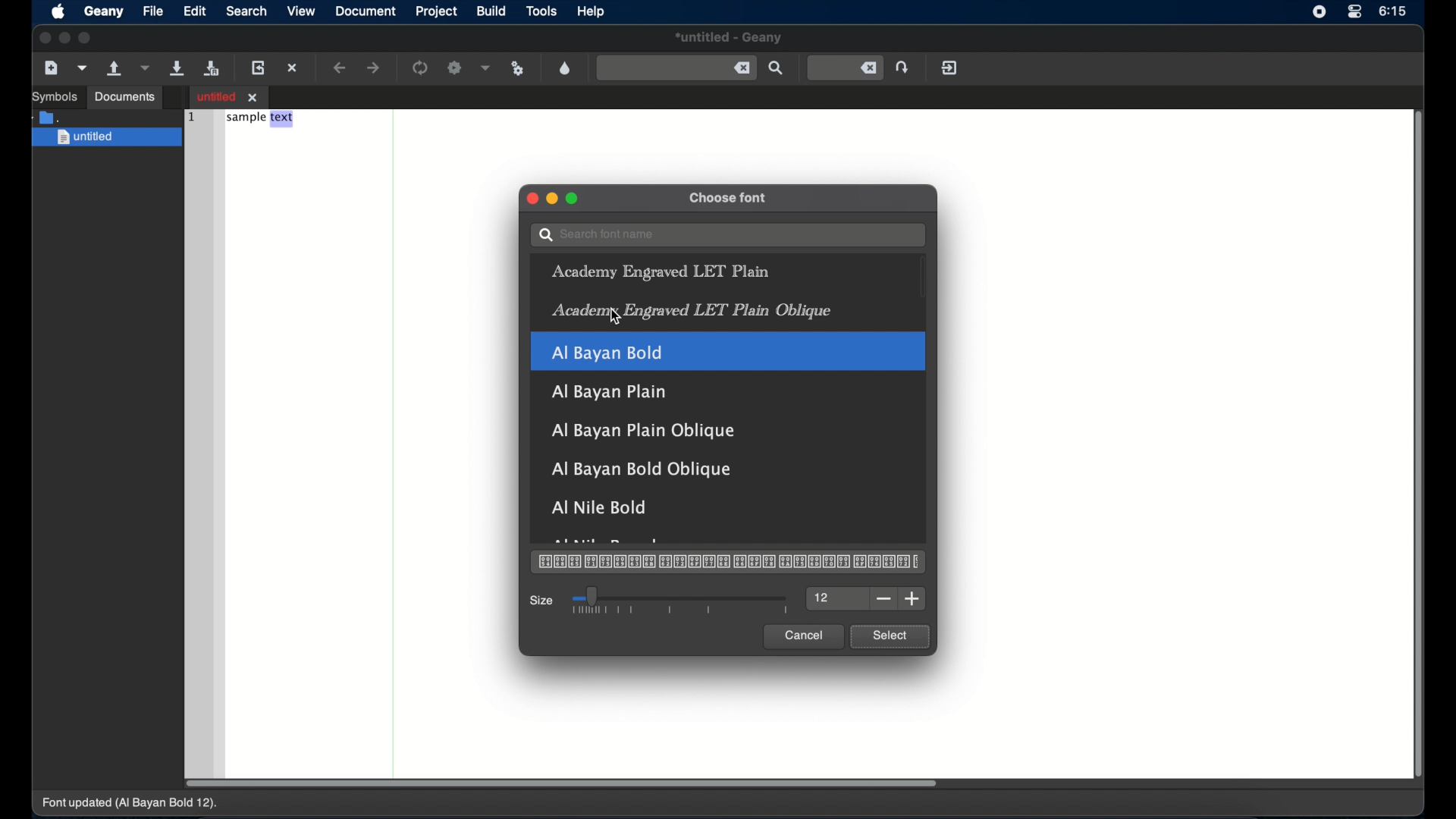 The width and height of the screenshot is (1456, 819). What do you see at coordinates (613, 315) in the screenshot?
I see `cursor` at bounding box center [613, 315].